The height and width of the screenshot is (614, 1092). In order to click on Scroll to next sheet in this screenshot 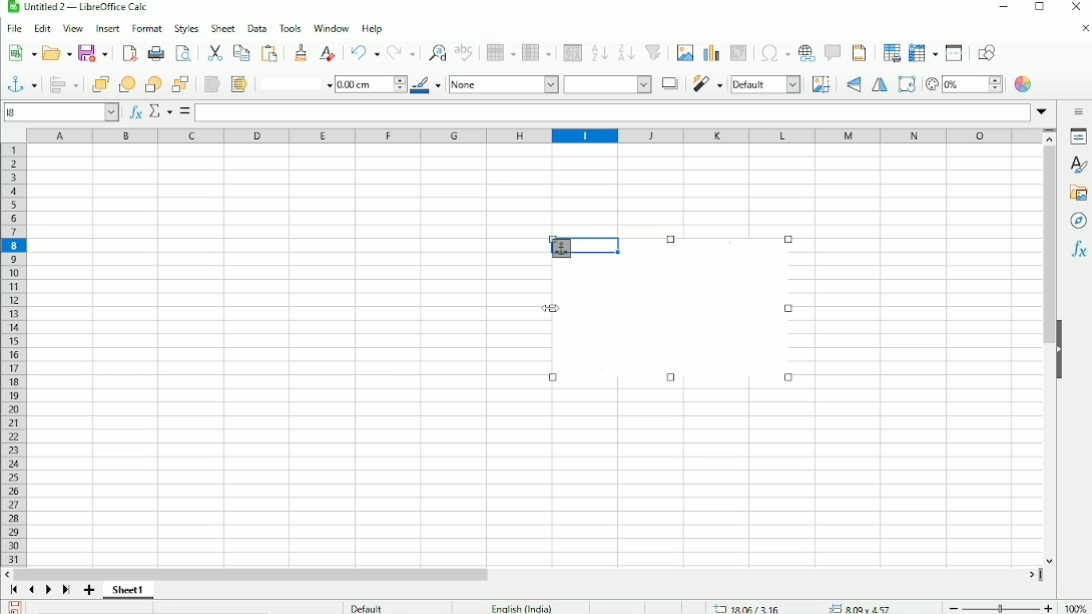, I will do `click(48, 591)`.